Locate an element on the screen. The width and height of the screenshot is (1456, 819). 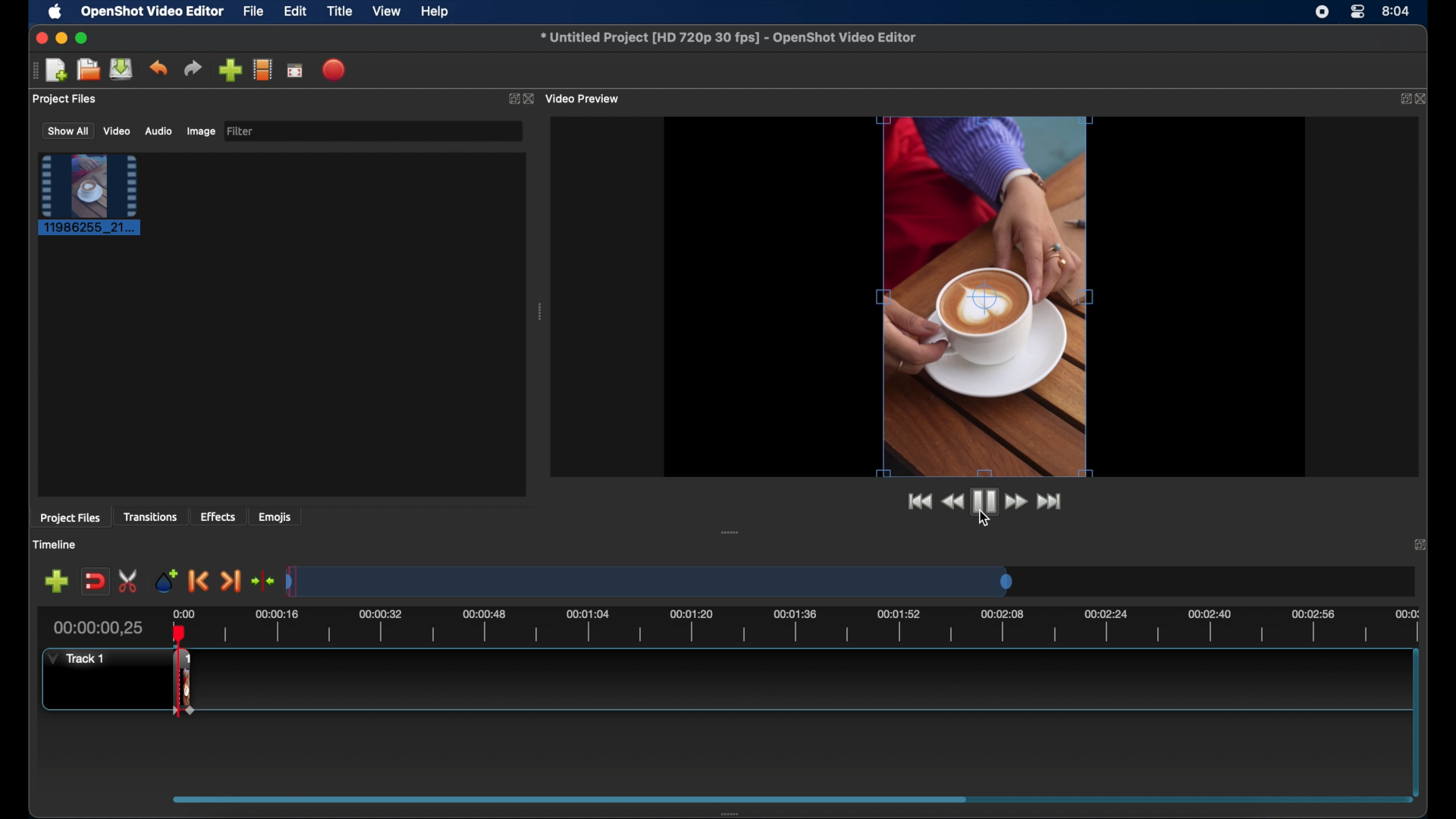
fastfoward is located at coordinates (1017, 501).